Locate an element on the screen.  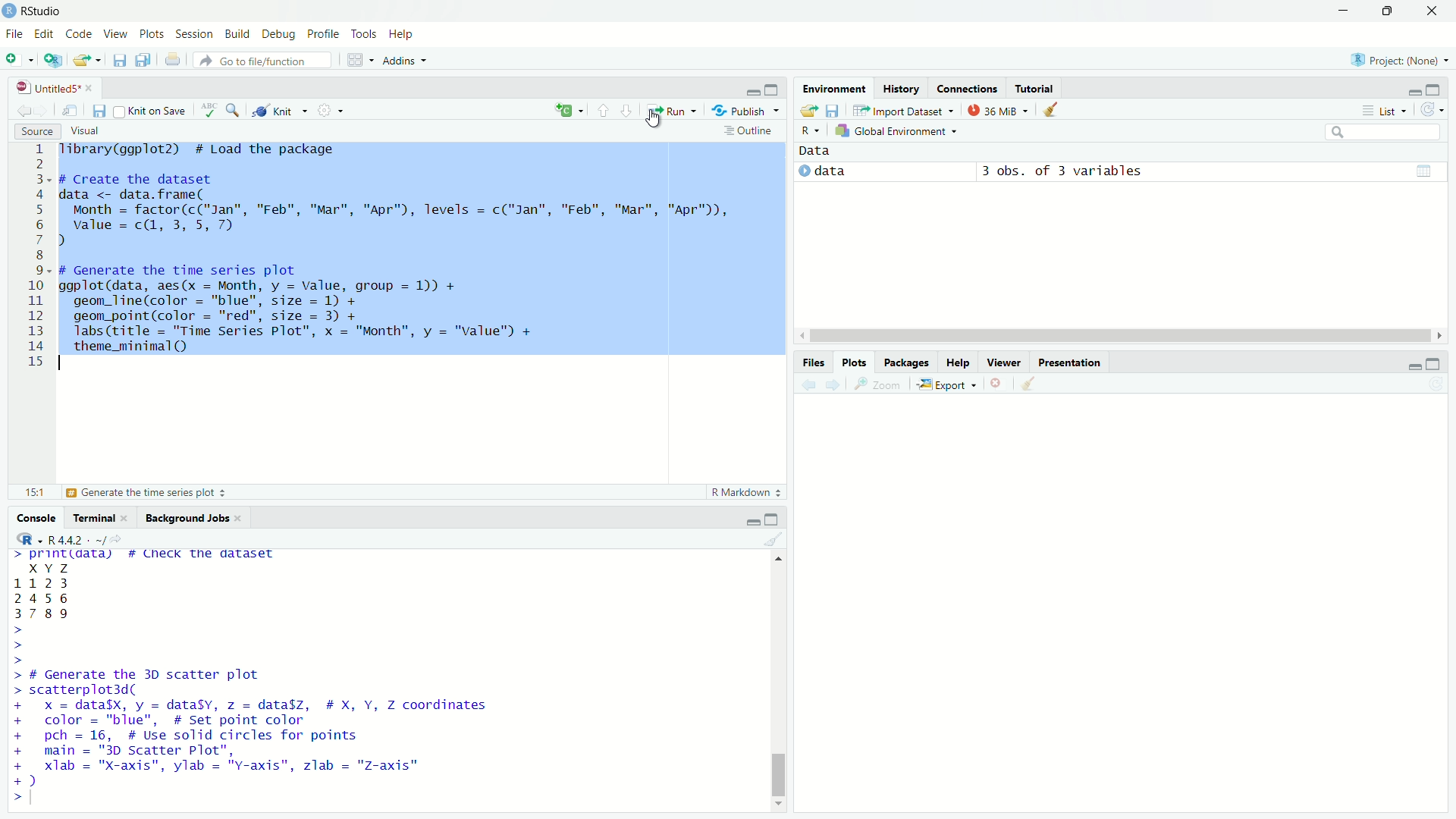
prompt cursor is located at coordinates (14, 645).